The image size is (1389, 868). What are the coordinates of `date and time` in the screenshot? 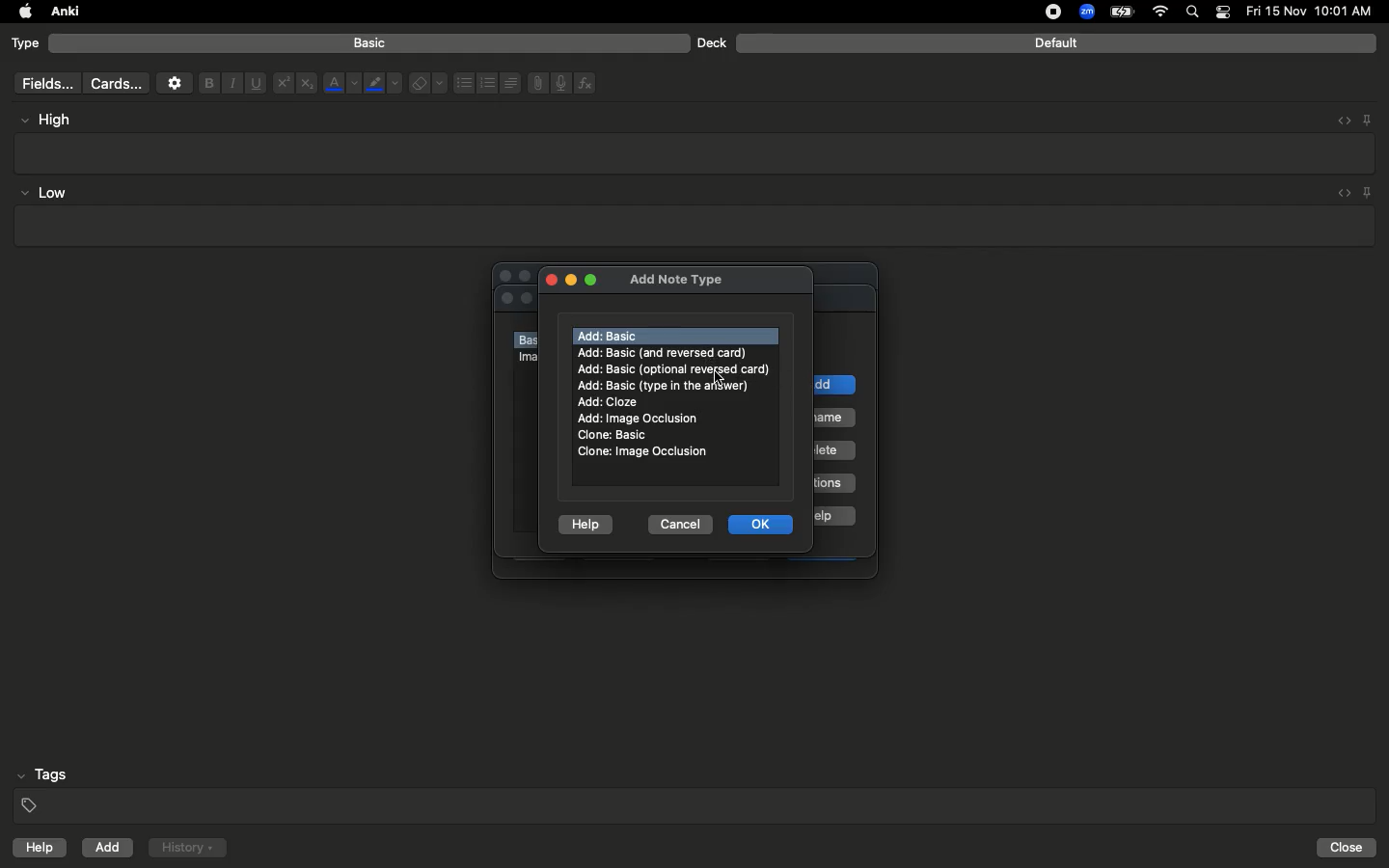 It's located at (1315, 11).